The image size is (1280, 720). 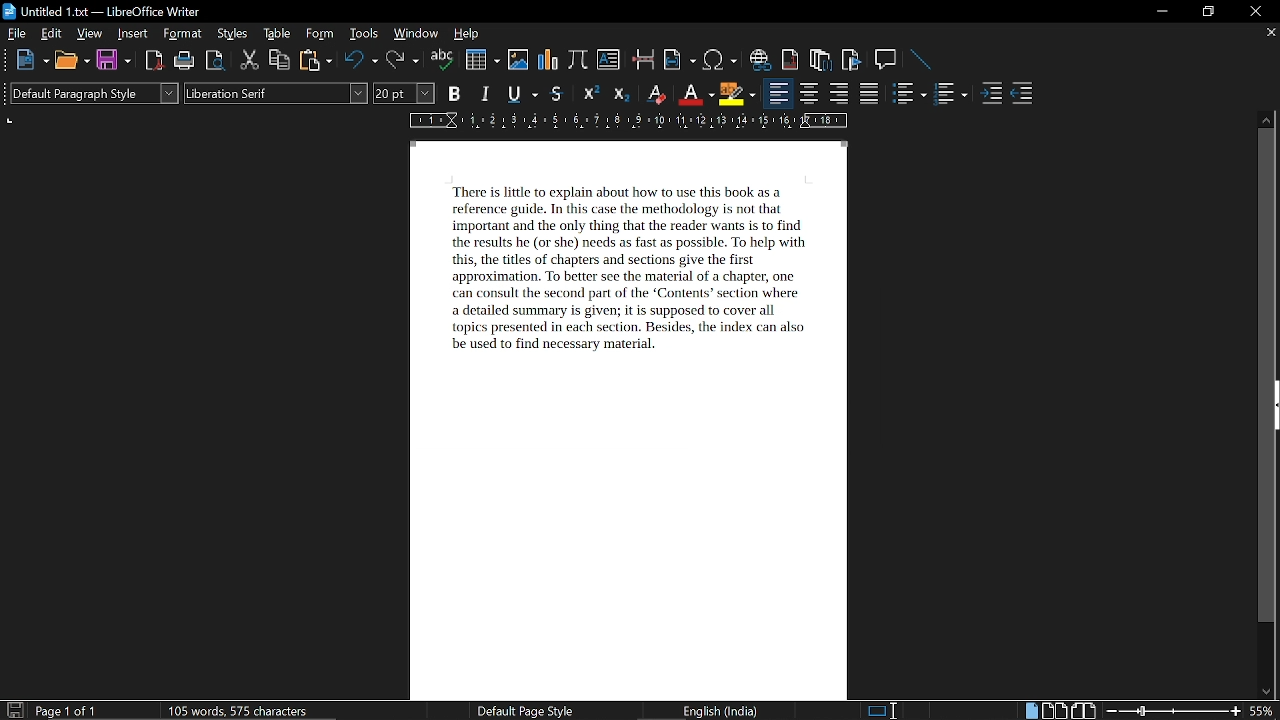 I want to click on restore down, so click(x=1206, y=12).